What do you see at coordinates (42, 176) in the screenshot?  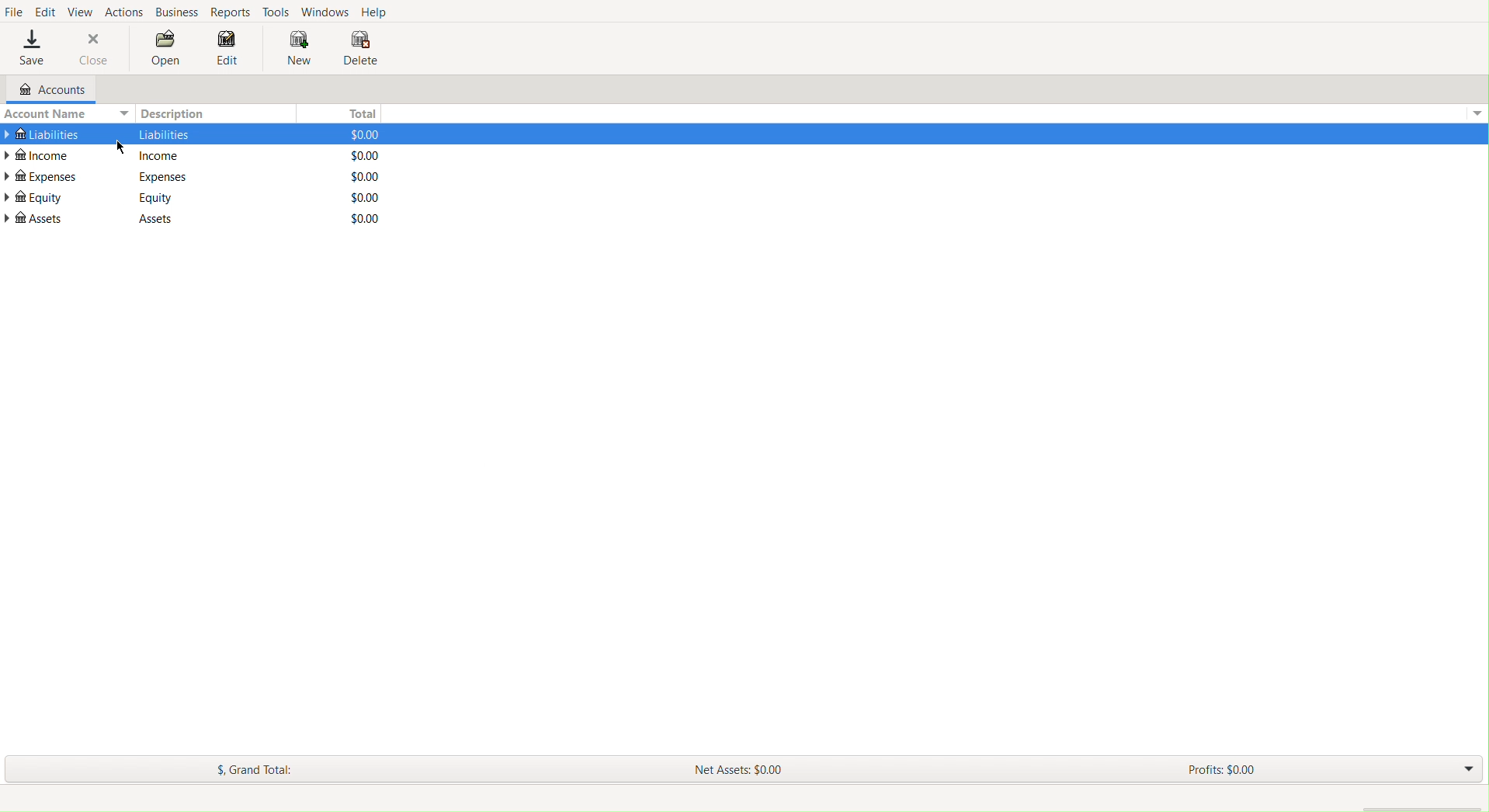 I see `Expenses` at bounding box center [42, 176].